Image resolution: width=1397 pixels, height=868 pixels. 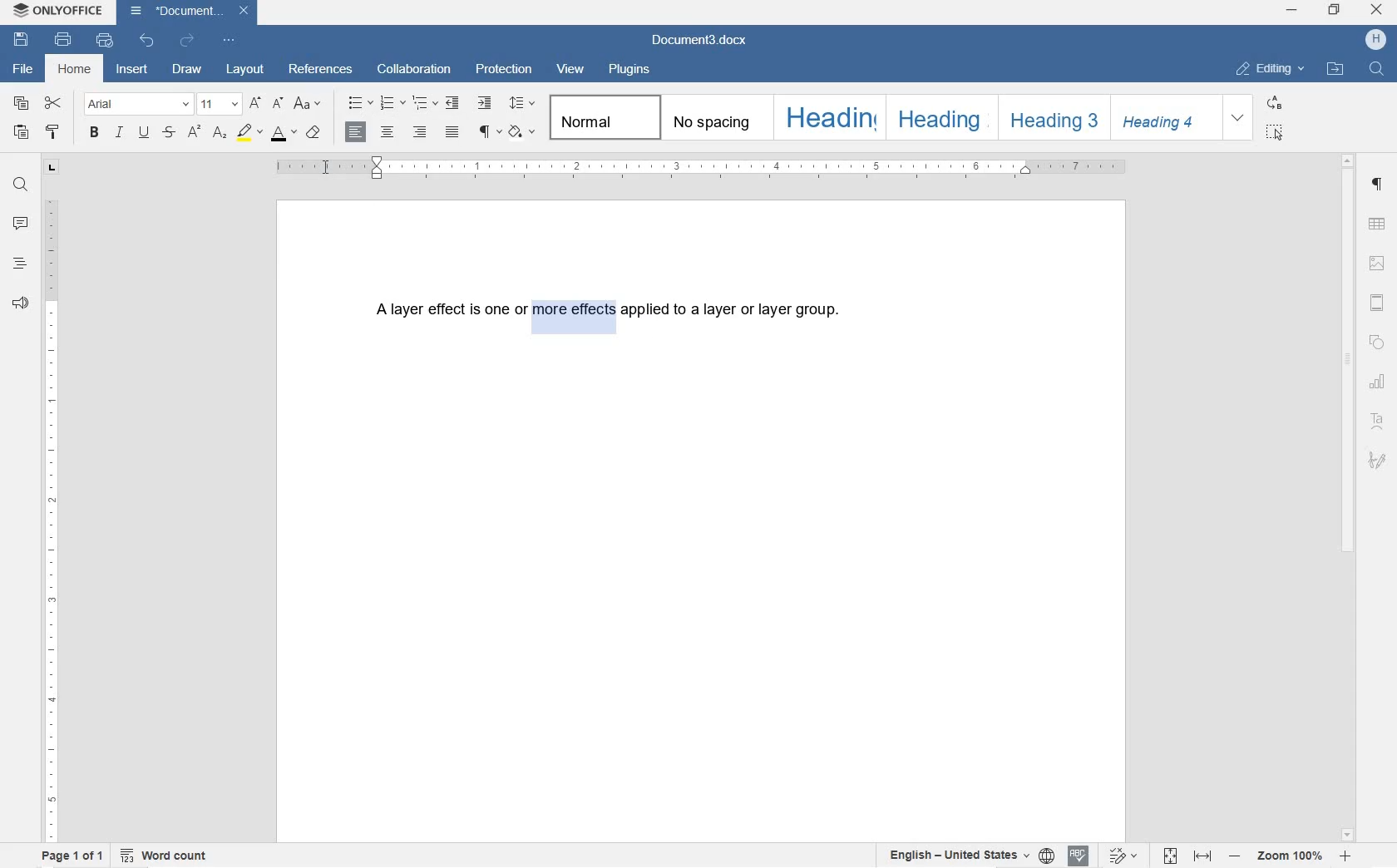 What do you see at coordinates (1377, 12) in the screenshot?
I see `CLOSE` at bounding box center [1377, 12].